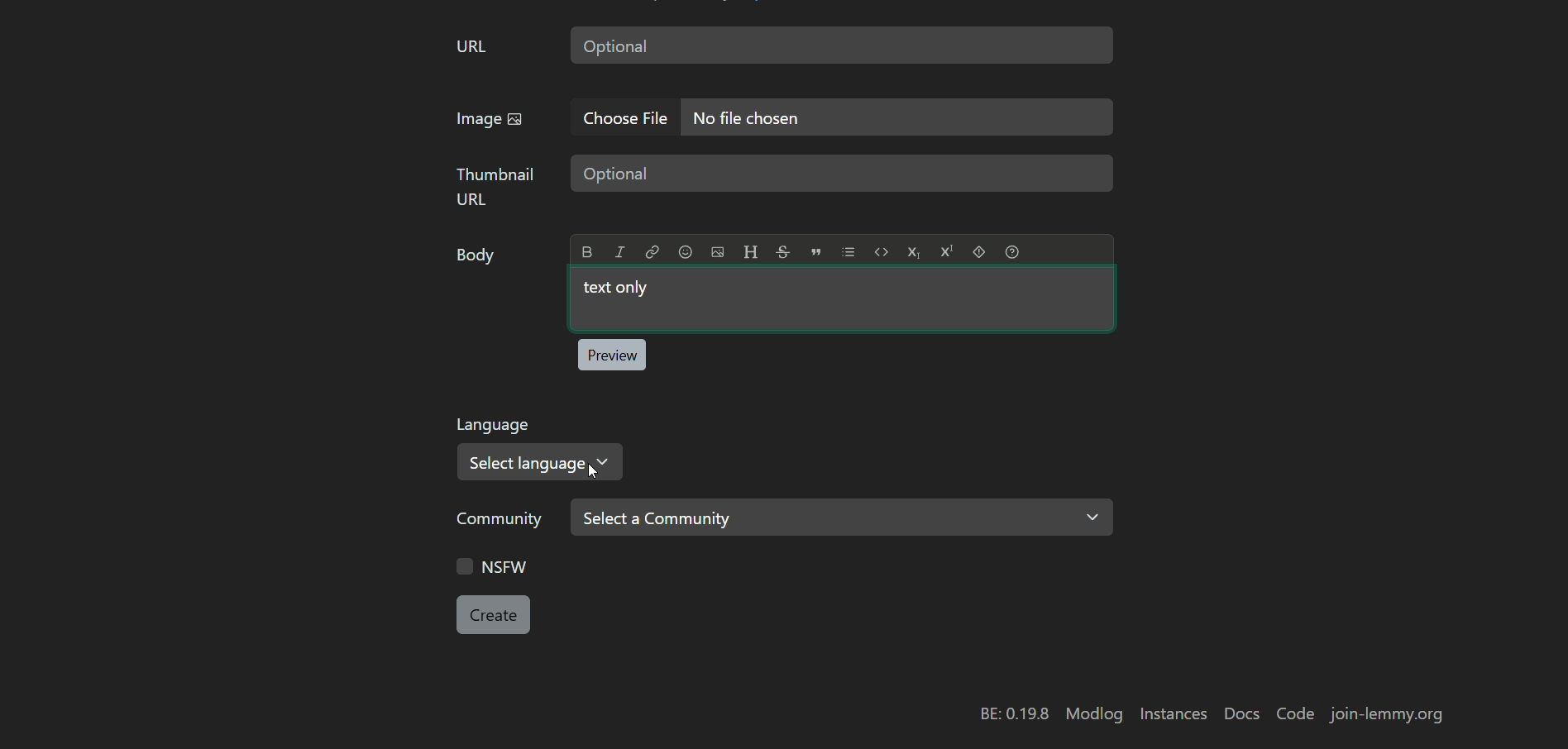 The image size is (1568, 749). Describe the element at coordinates (841, 518) in the screenshot. I see `select a community` at that location.